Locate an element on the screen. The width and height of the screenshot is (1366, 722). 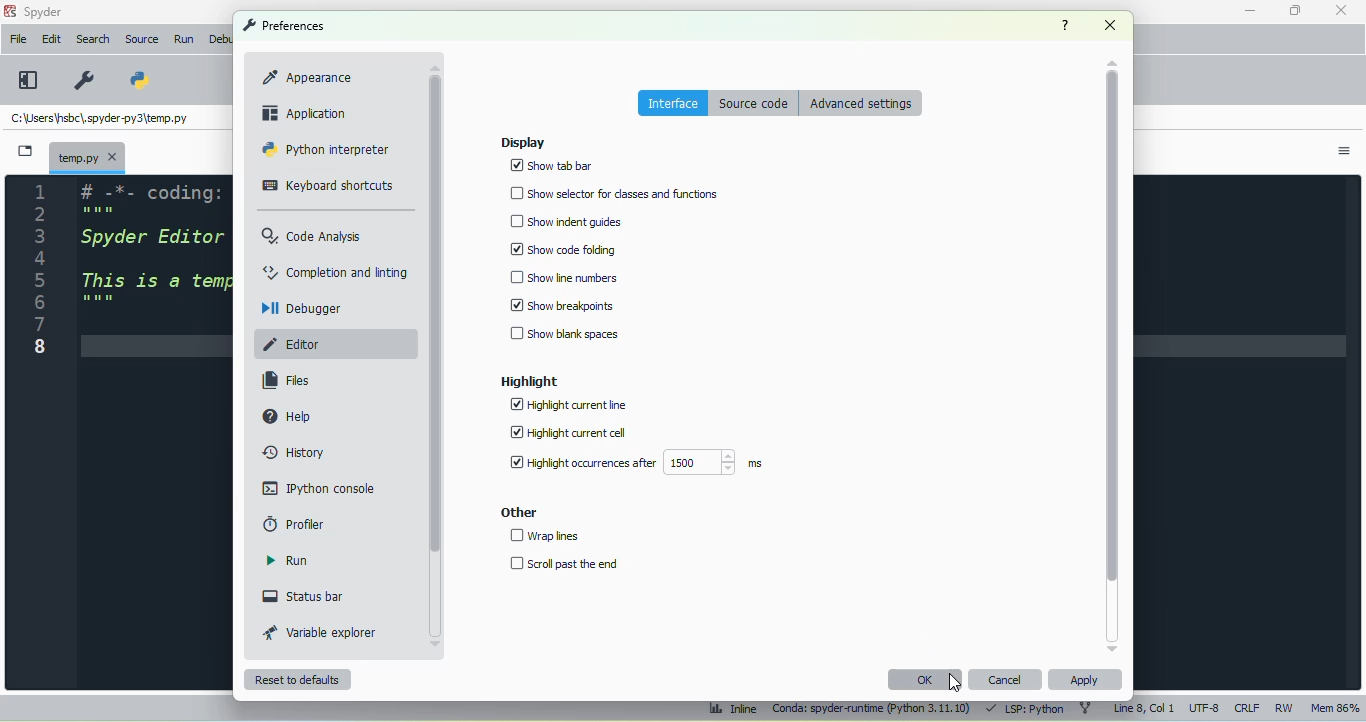
application is located at coordinates (307, 112).